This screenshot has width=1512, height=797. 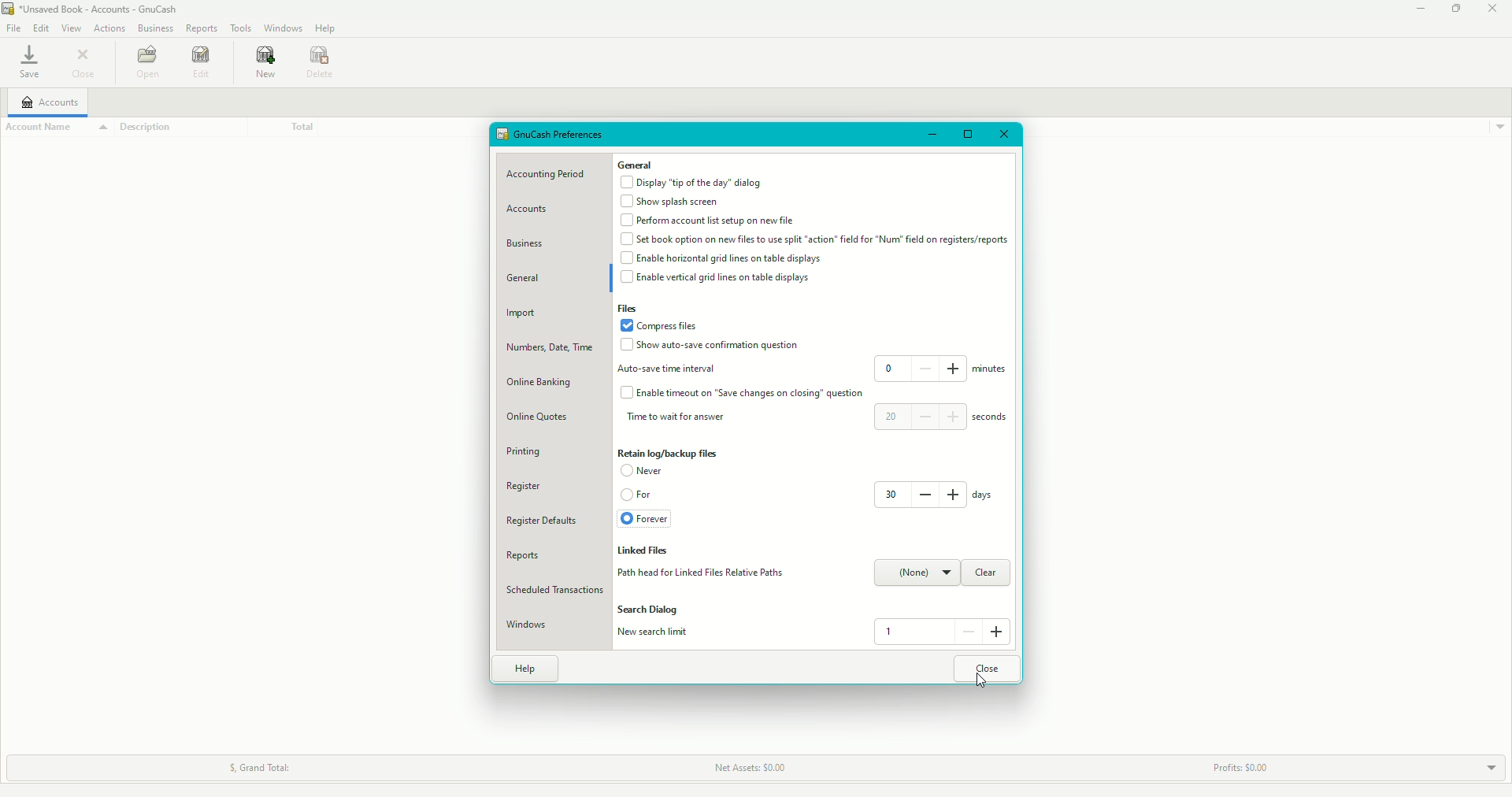 I want to click on Date, so click(x=323, y=63).